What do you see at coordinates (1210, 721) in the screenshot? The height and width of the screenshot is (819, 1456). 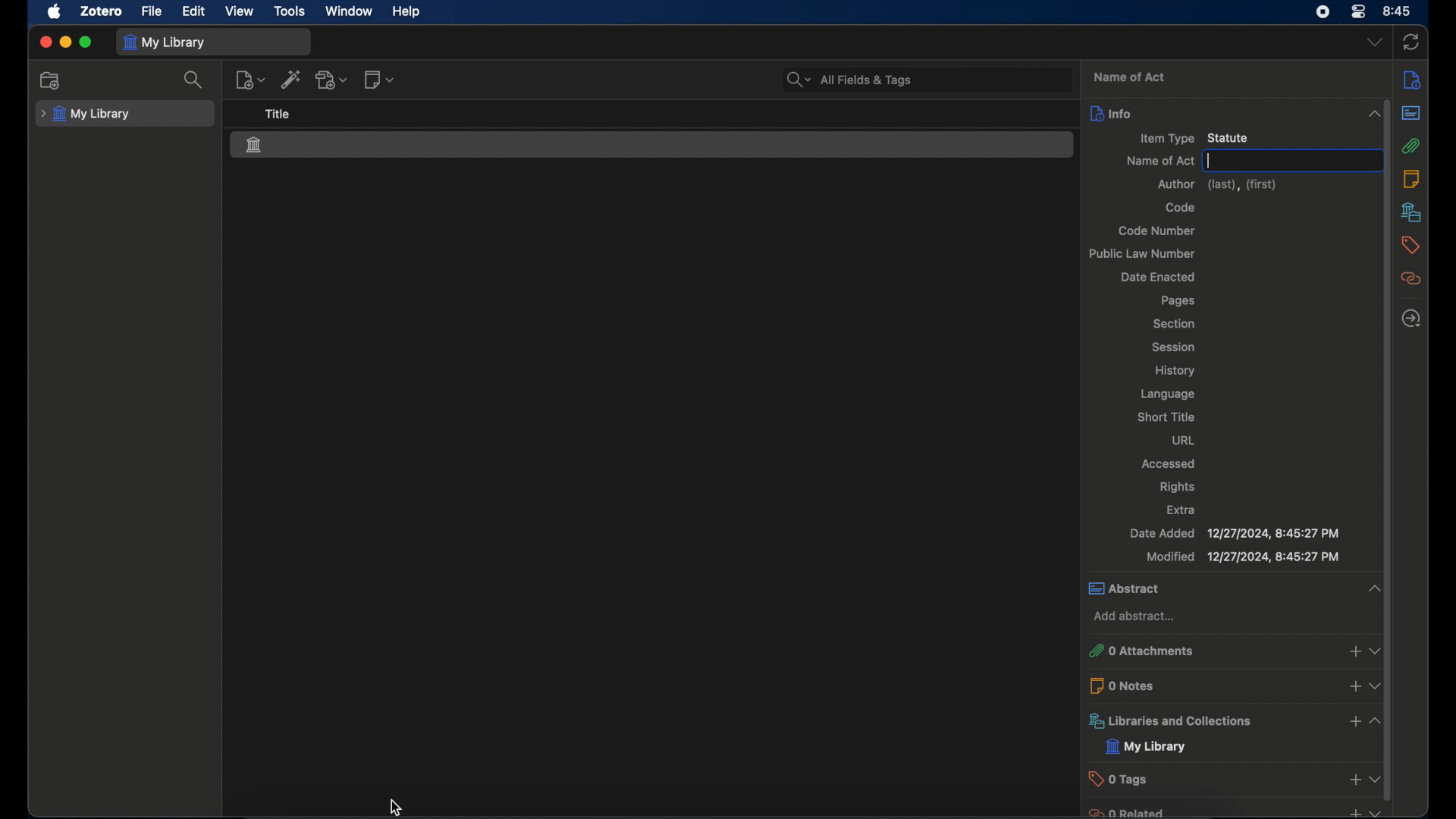 I see `libraries` at bounding box center [1210, 721].